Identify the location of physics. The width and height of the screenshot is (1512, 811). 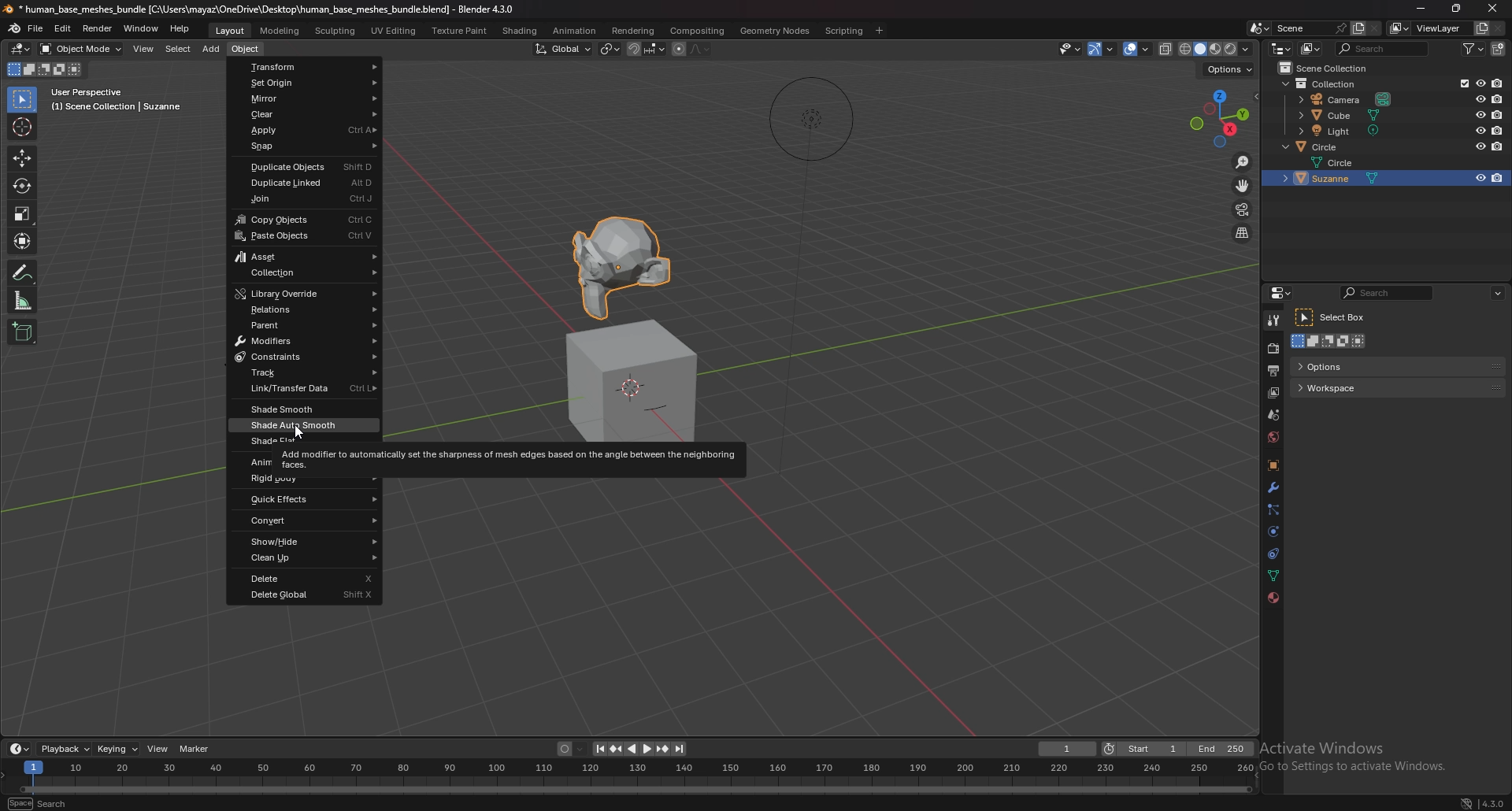
(1275, 531).